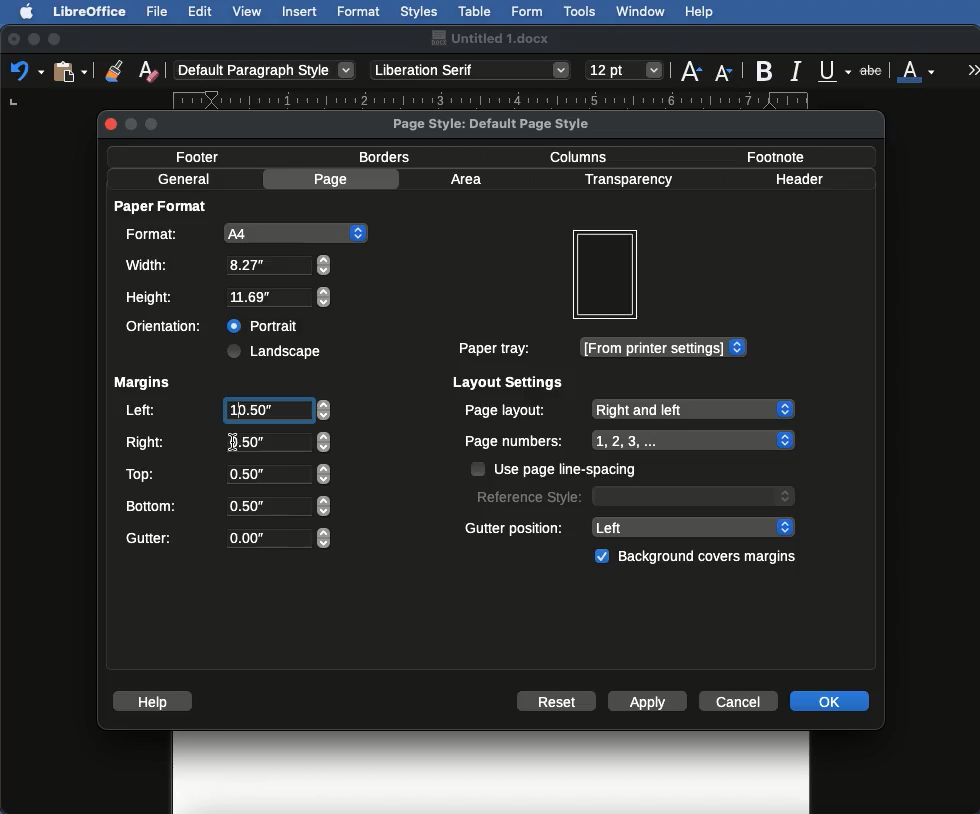 This screenshot has width=980, height=814. What do you see at coordinates (633, 495) in the screenshot?
I see `Reference style` at bounding box center [633, 495].